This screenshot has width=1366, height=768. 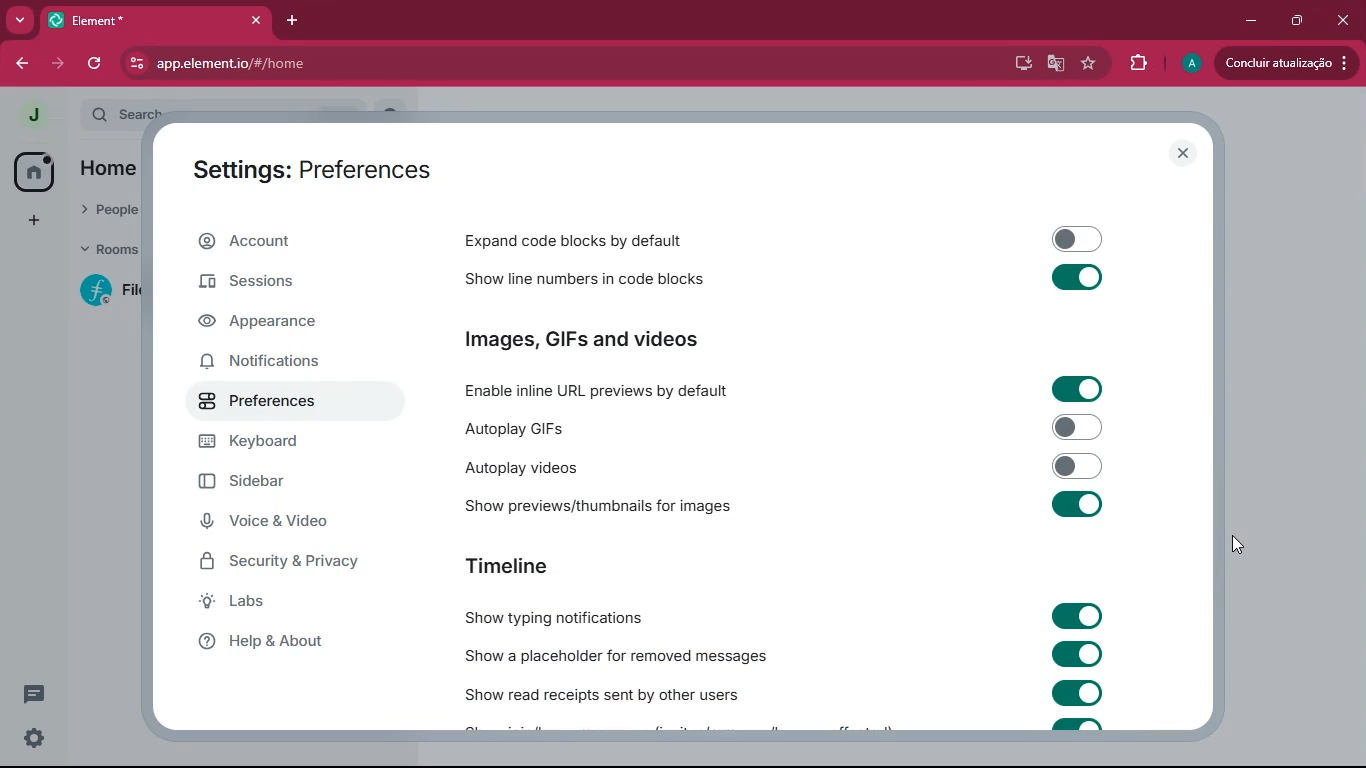 I want to click on account, so click(x=300, y=239).